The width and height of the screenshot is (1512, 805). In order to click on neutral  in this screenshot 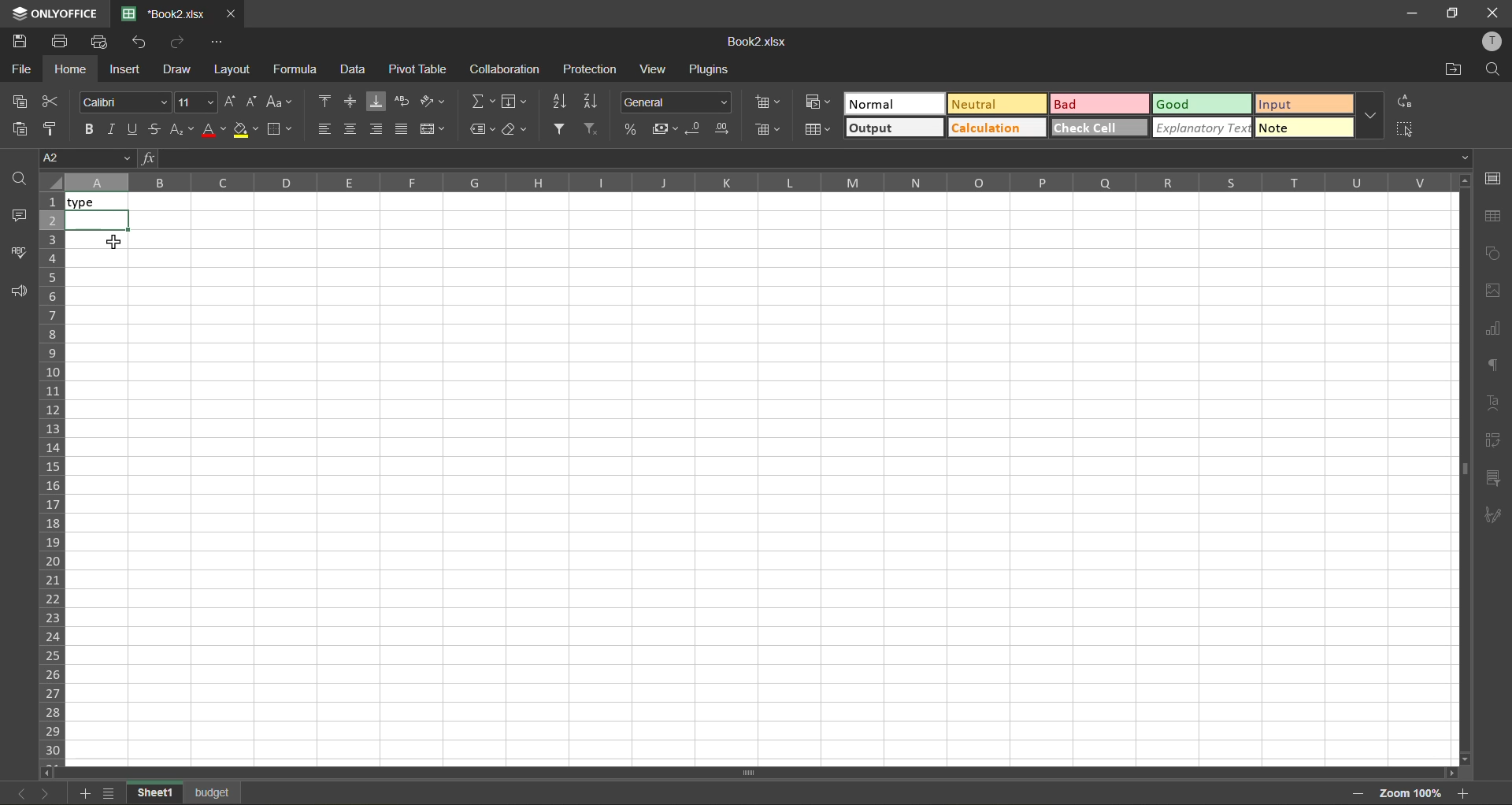, I will do `click(996, 103)`.